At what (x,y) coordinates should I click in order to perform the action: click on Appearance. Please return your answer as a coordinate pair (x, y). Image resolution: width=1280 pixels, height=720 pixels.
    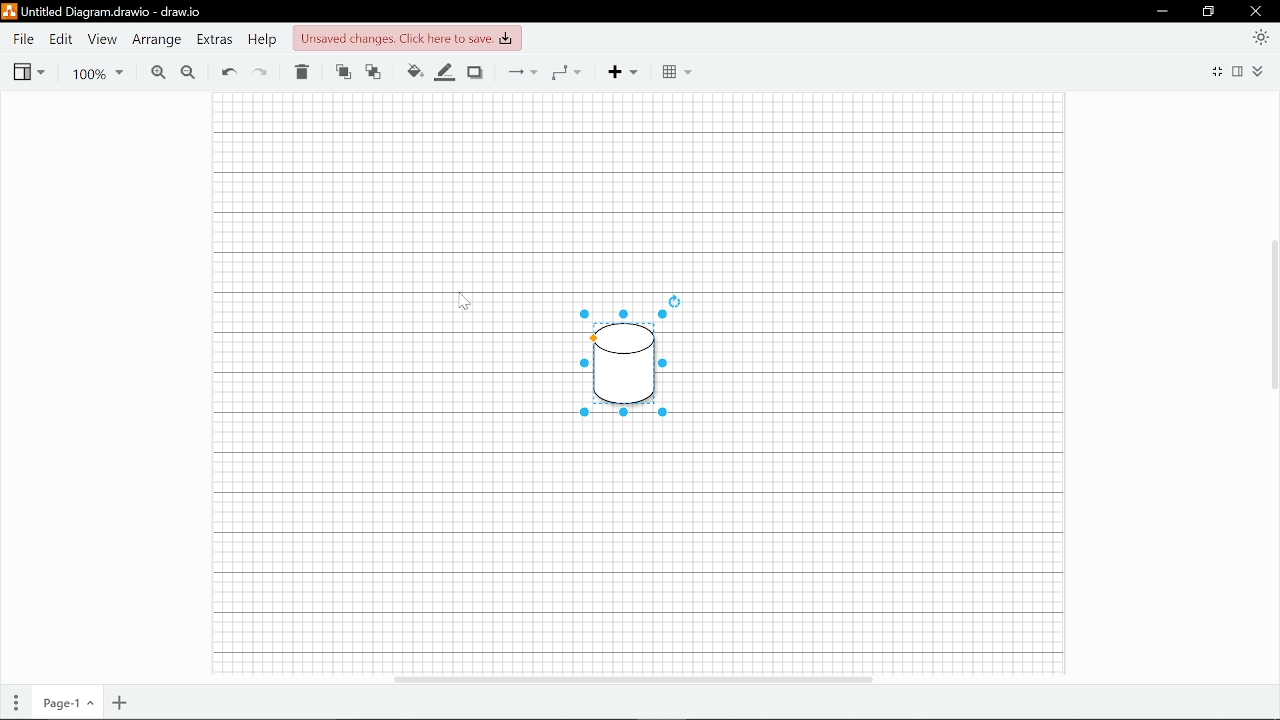
    Looking at the image, I should click on (1256, 39).